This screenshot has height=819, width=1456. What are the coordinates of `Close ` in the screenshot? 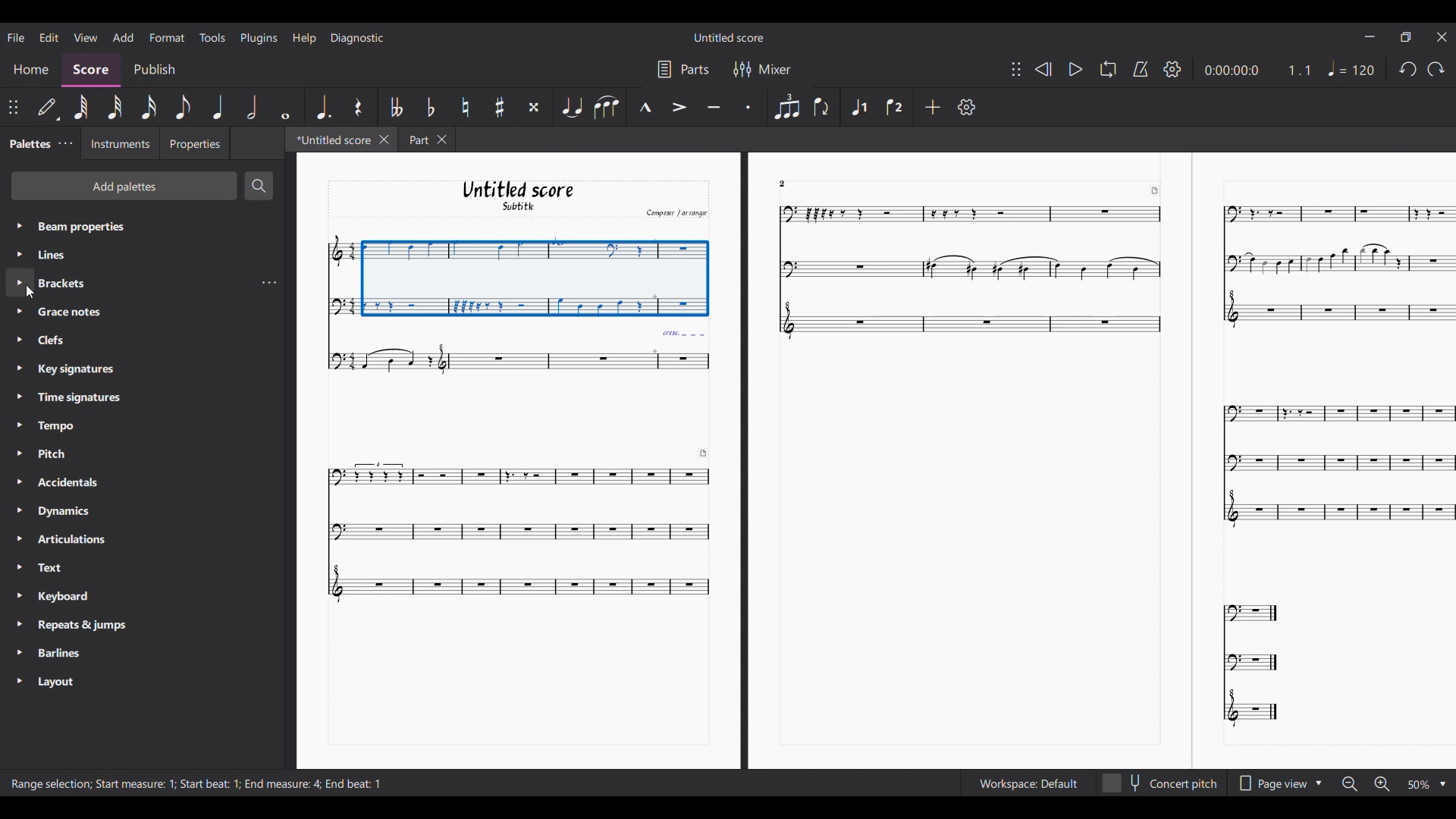 It's located at (1442, 36).